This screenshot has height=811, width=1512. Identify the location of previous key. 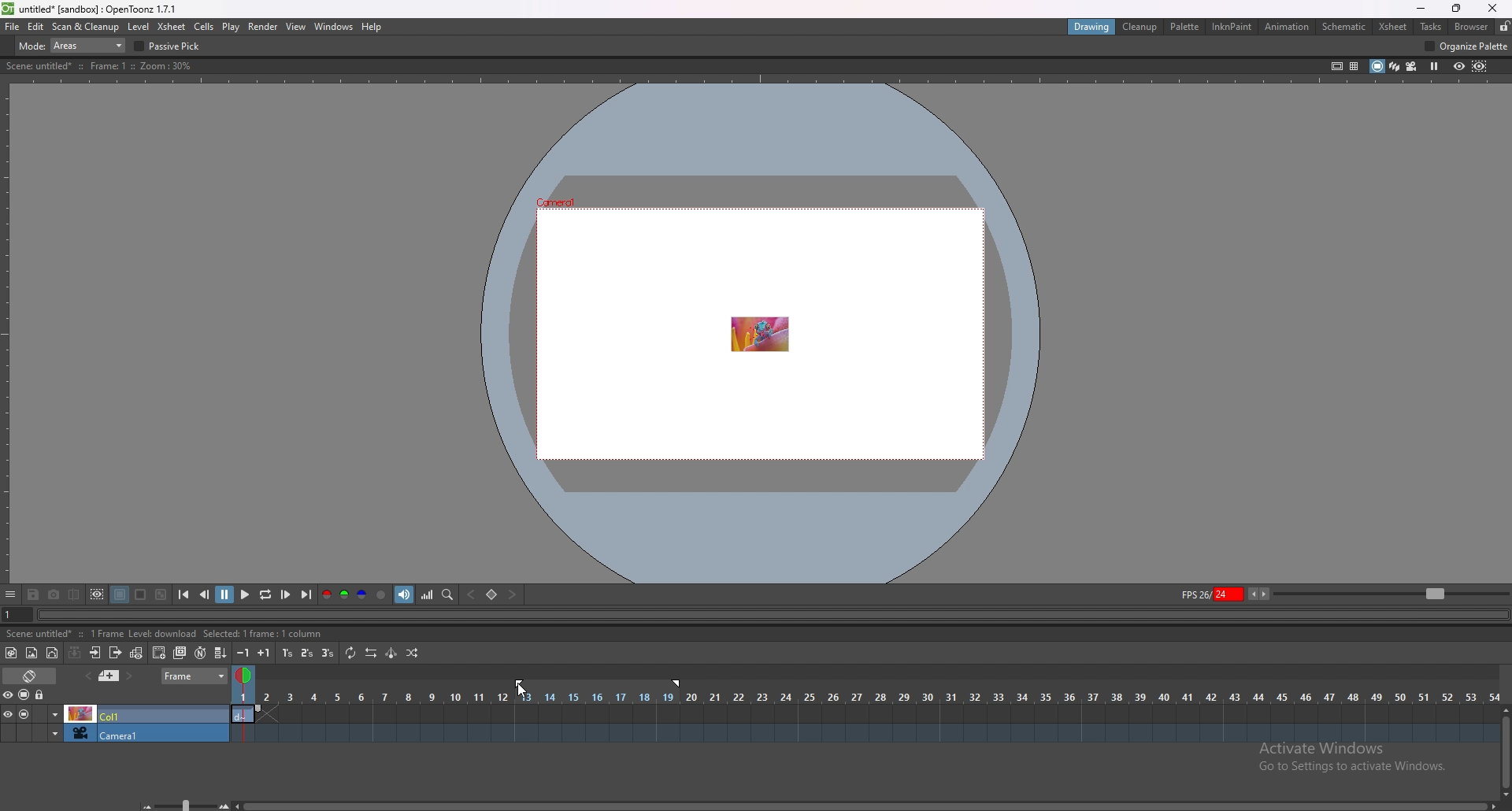
(472, 594).